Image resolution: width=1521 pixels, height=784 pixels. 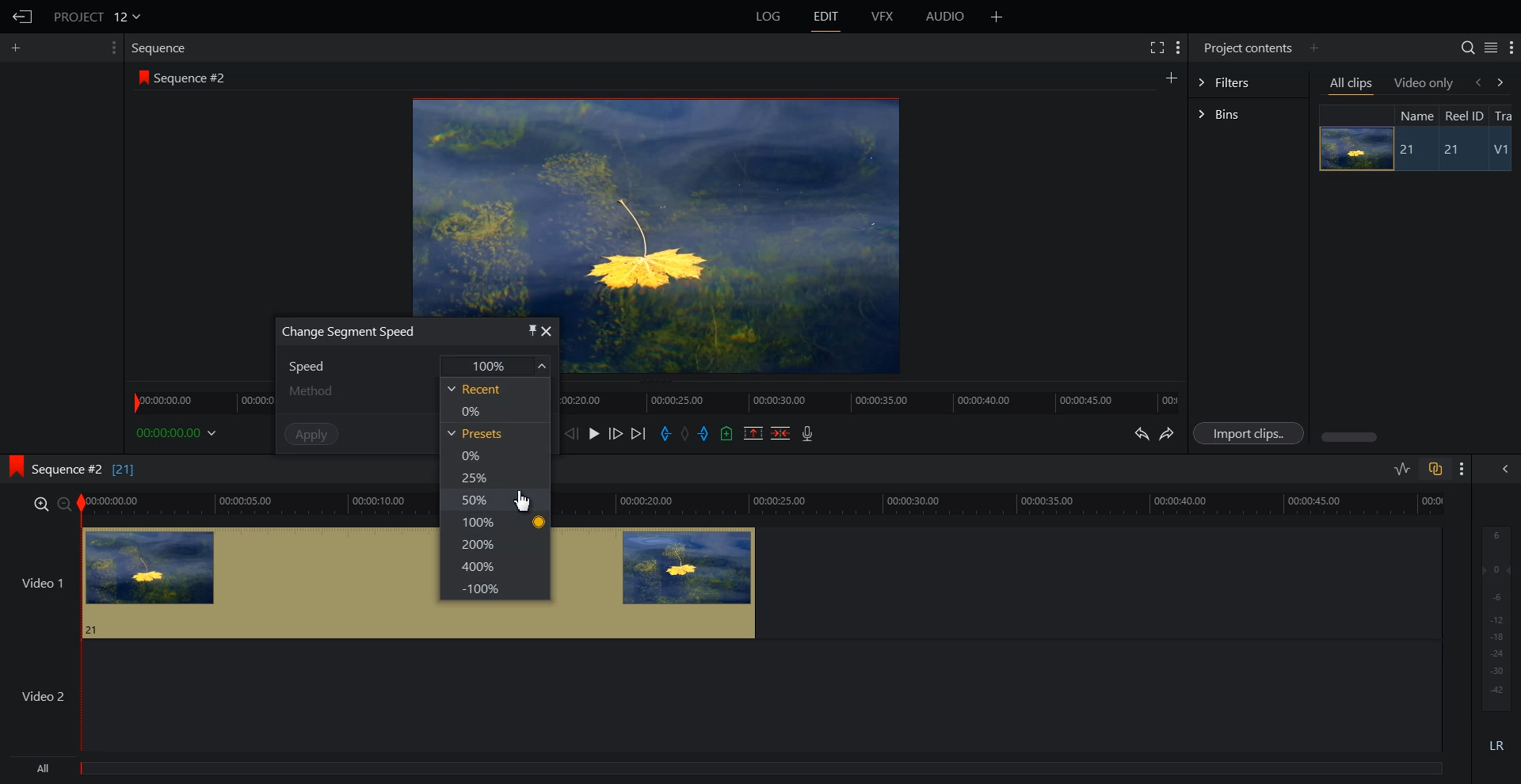 What do you see at coordinates (1511, 48) in the screenshot?
I see `Show setting menu` at bounding box center [1511, 48].